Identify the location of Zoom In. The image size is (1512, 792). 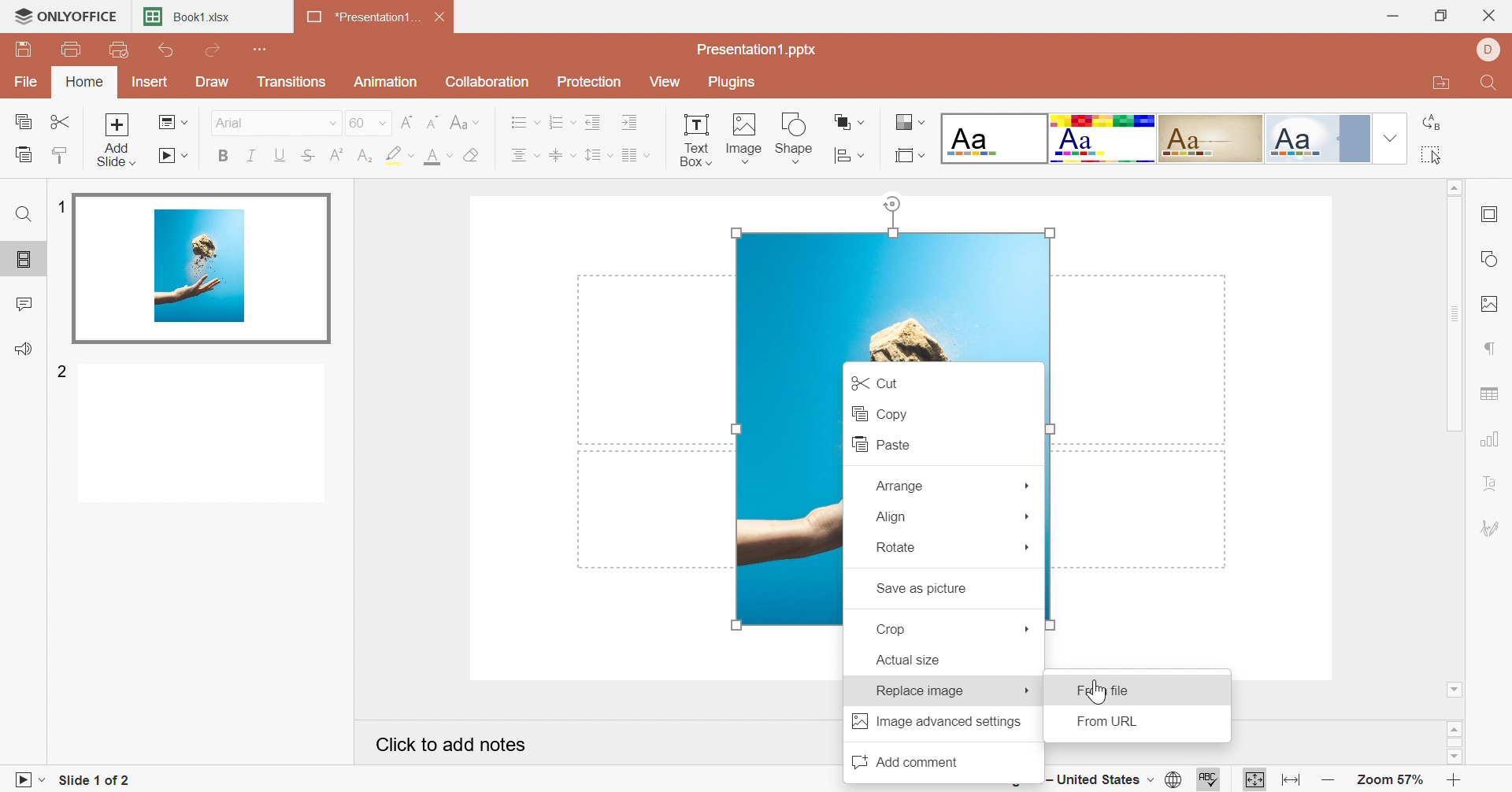
(1455, 779).